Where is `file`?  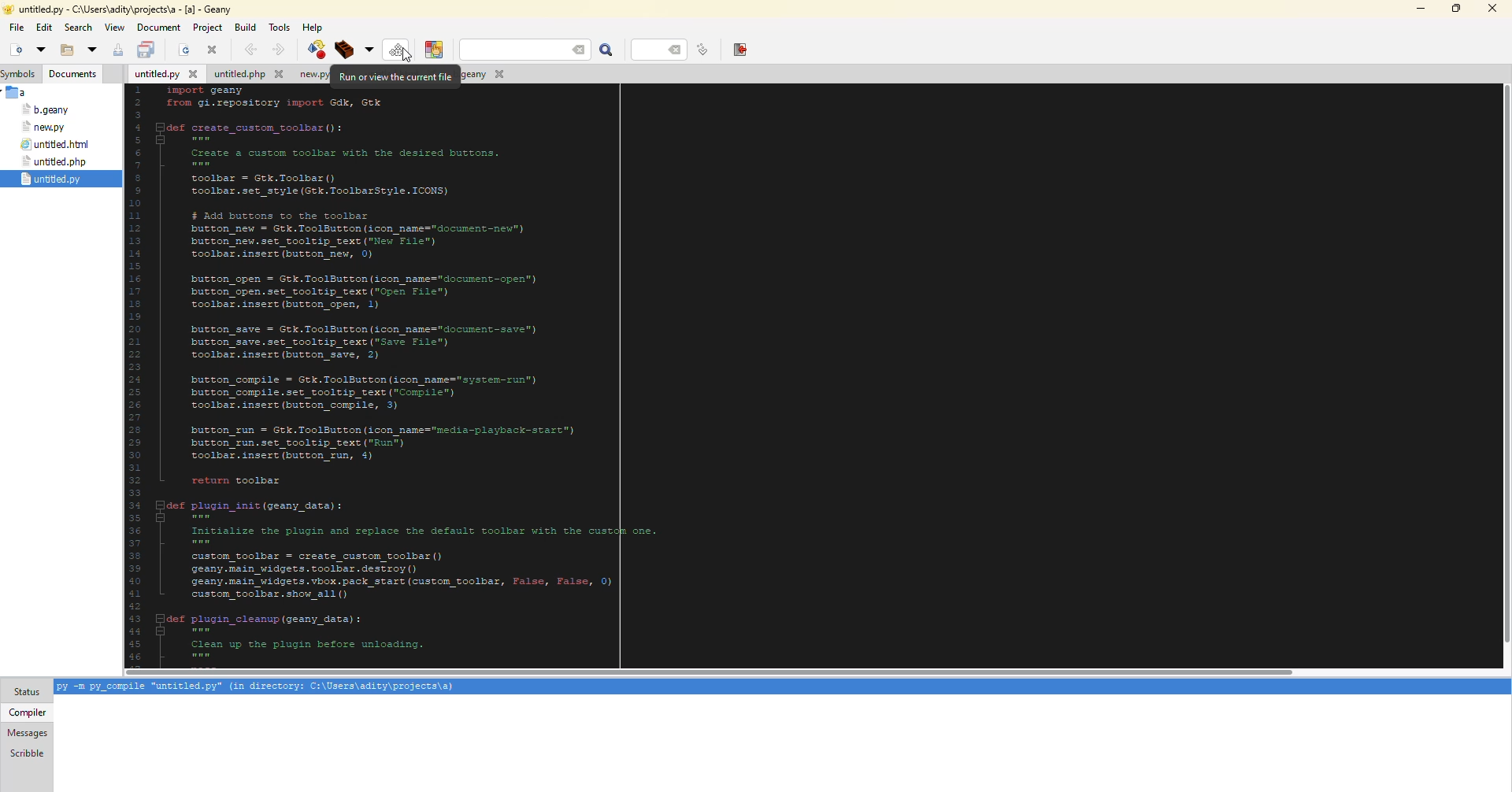
file is located at coordinates (57, 161).